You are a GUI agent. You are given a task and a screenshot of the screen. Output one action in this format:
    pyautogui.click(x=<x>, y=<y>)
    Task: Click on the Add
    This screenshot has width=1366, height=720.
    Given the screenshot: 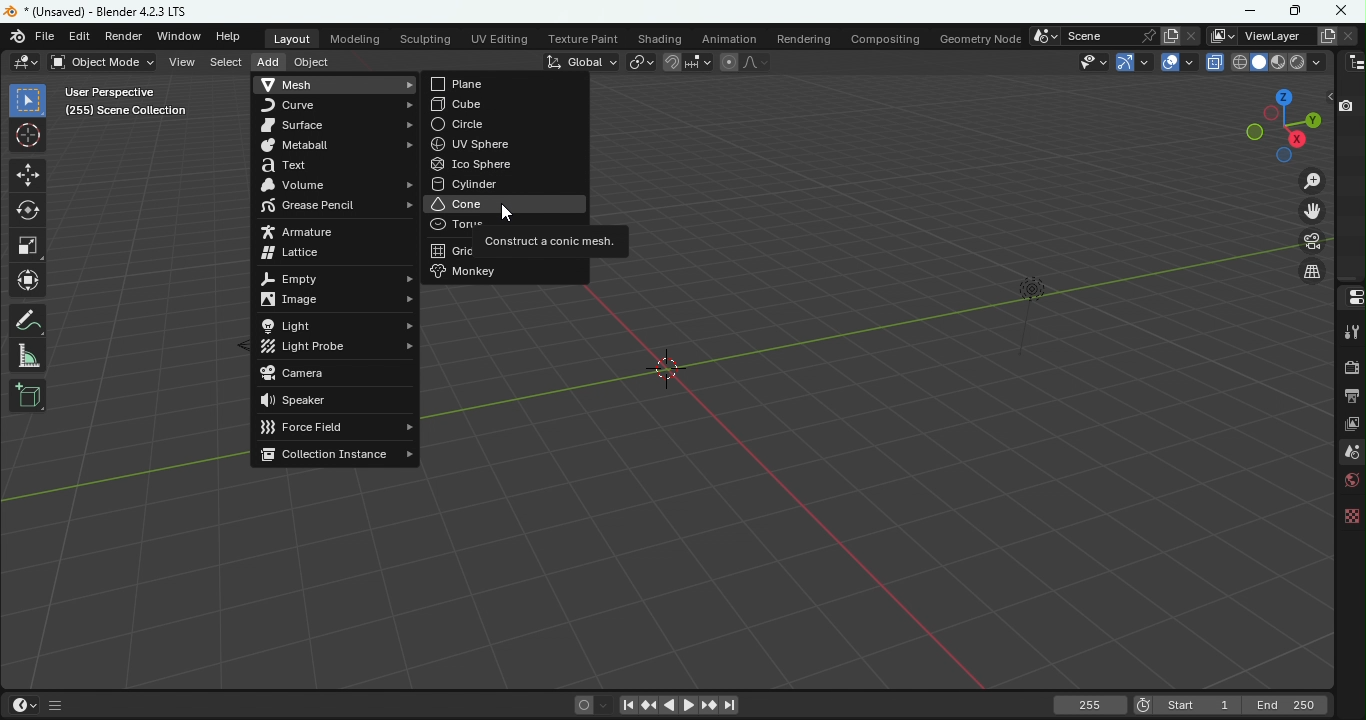 What is the action you would take?
    pyautogui.click(x=266, y=60)
    